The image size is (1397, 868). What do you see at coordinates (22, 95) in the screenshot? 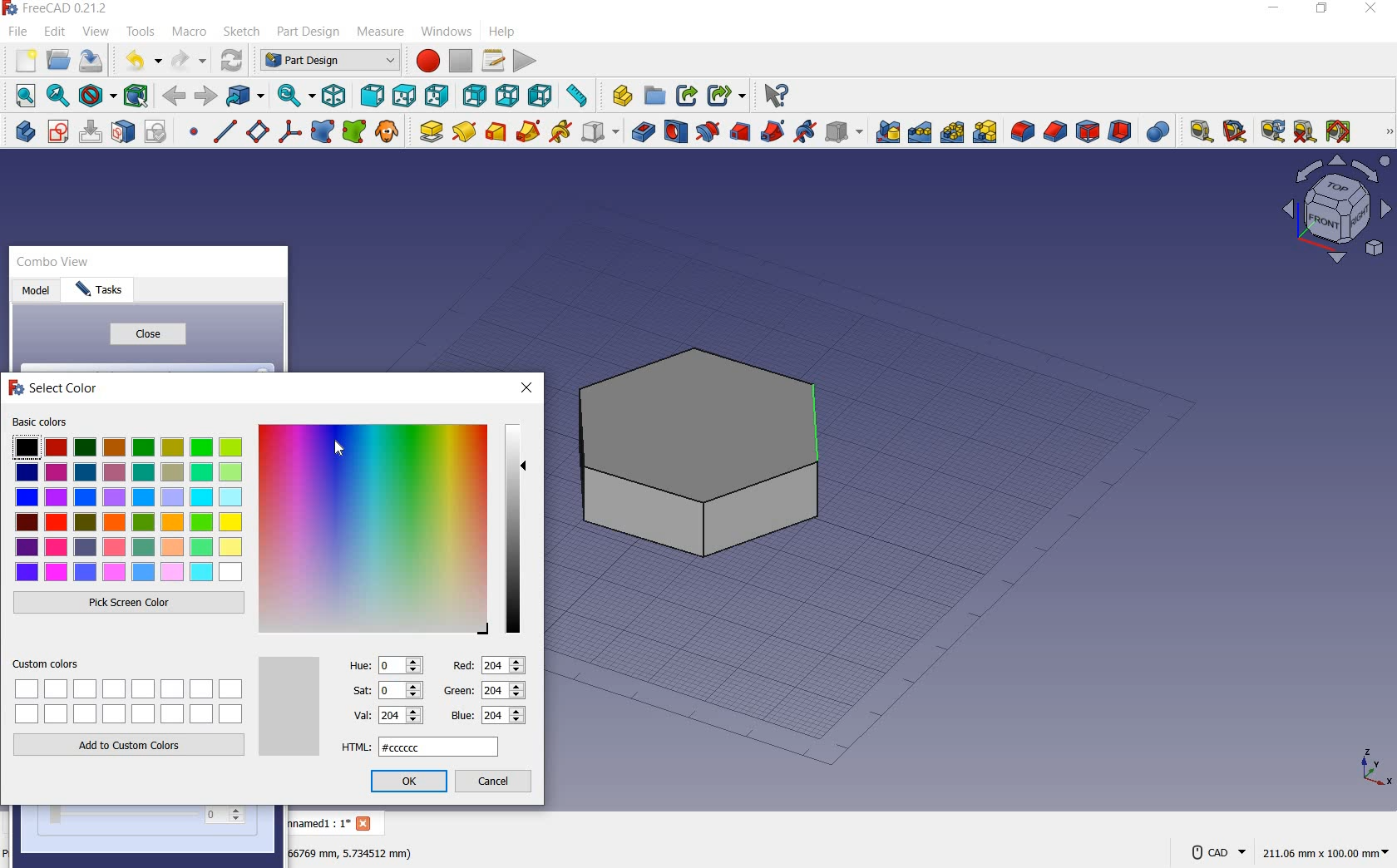
I see `fit all` at bounding box center [22, 95].